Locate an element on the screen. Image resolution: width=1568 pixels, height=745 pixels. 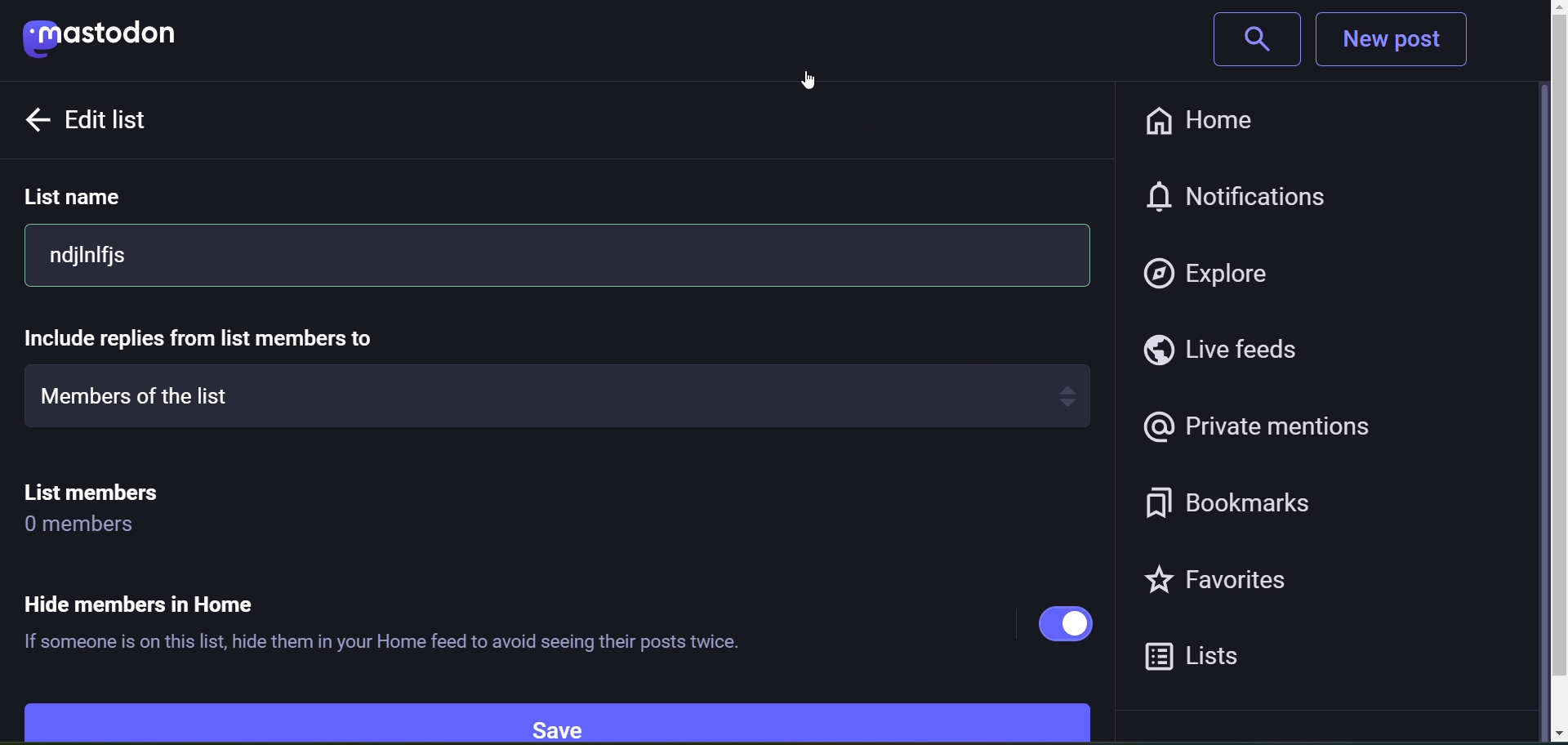
members of the list is located at coordinates (559, 399).